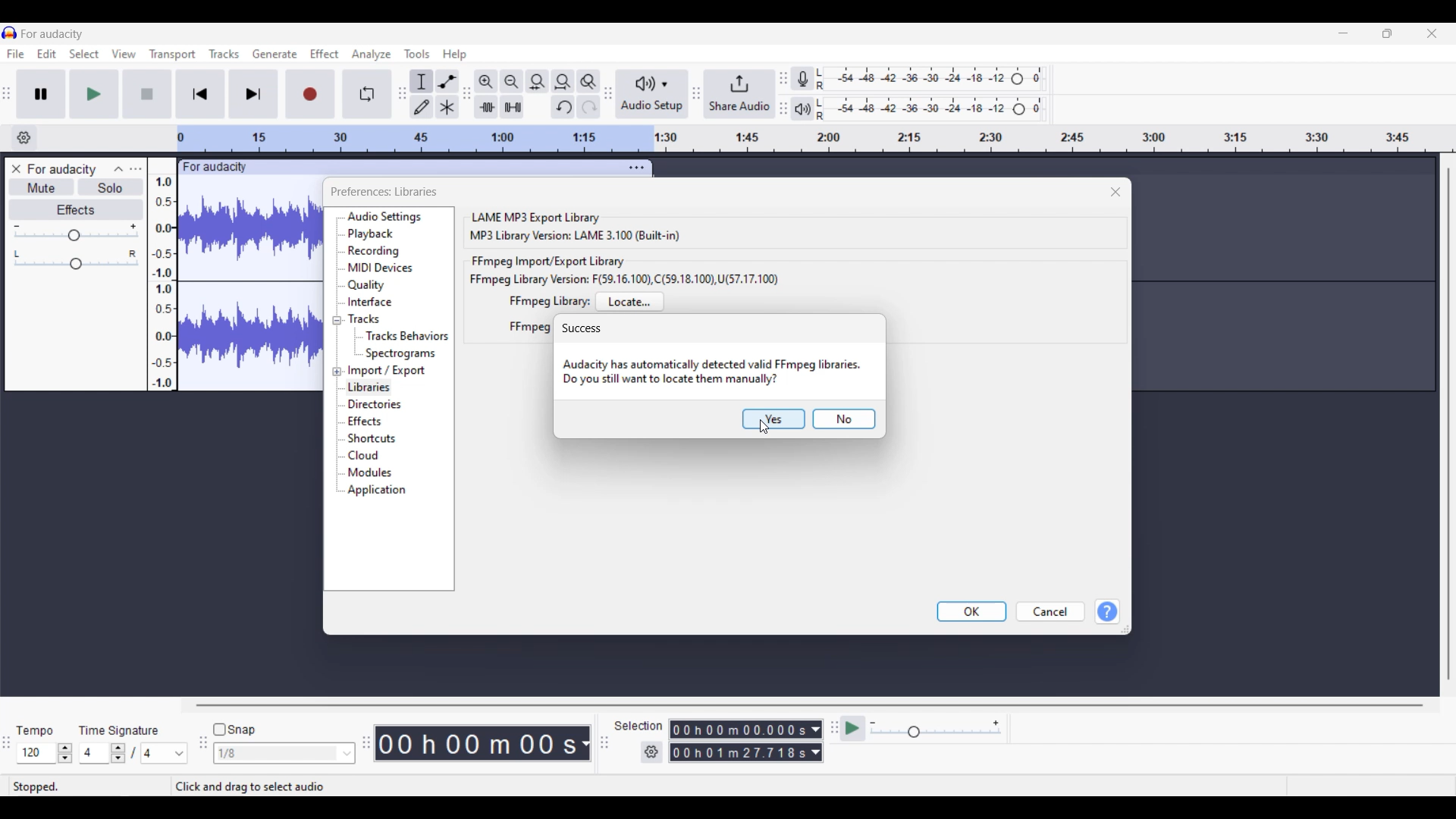 This screenshot has height=819, width=1456. Describe the element at coordinates (385, 192) in the screenshot. I see `preferences: libraries` at that location.